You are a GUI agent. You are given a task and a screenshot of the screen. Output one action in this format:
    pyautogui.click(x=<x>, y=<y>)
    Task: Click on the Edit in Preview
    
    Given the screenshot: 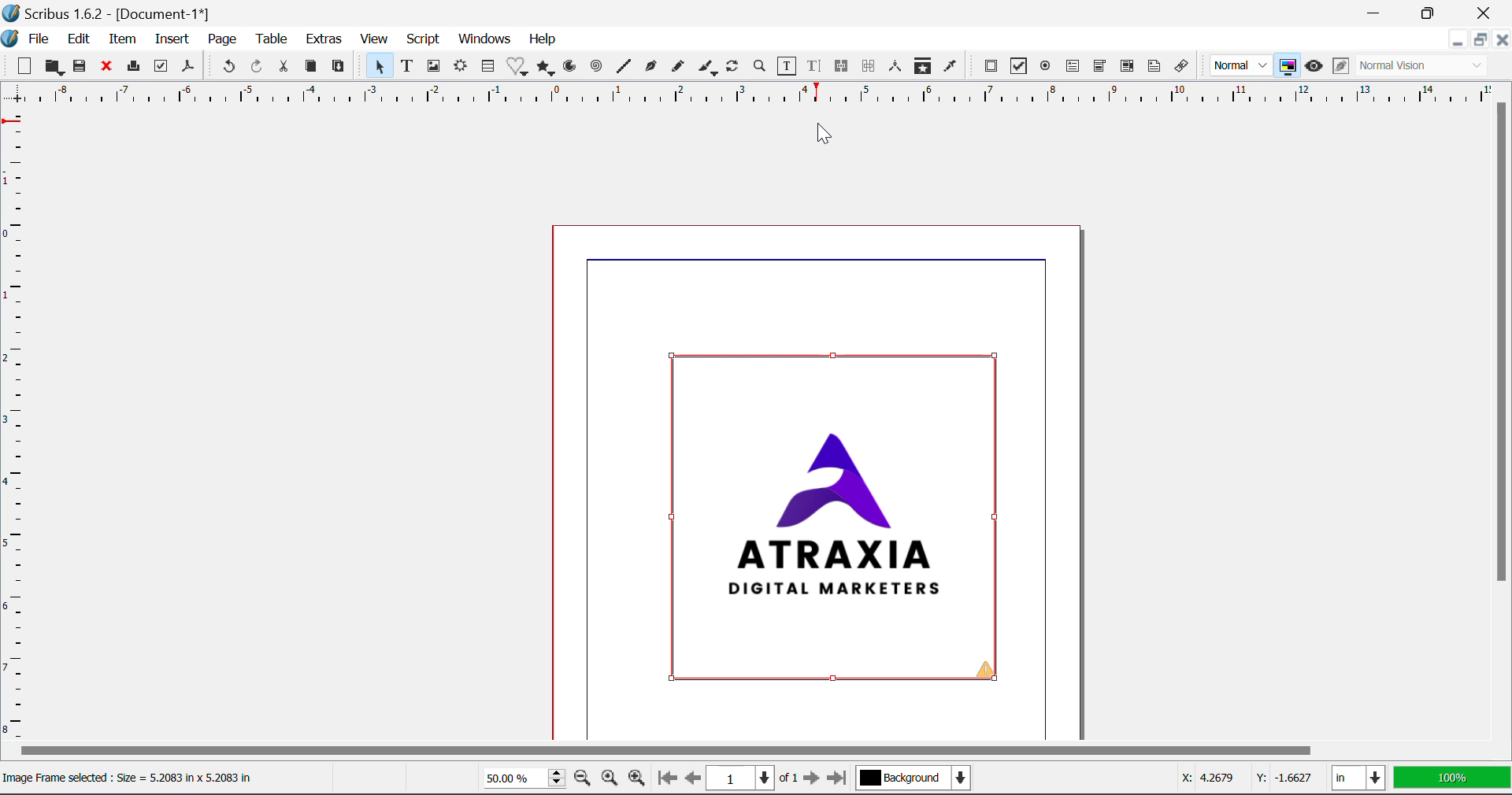 What is the action you would take?
    pyautogui.click(x=1339, y=68)
    